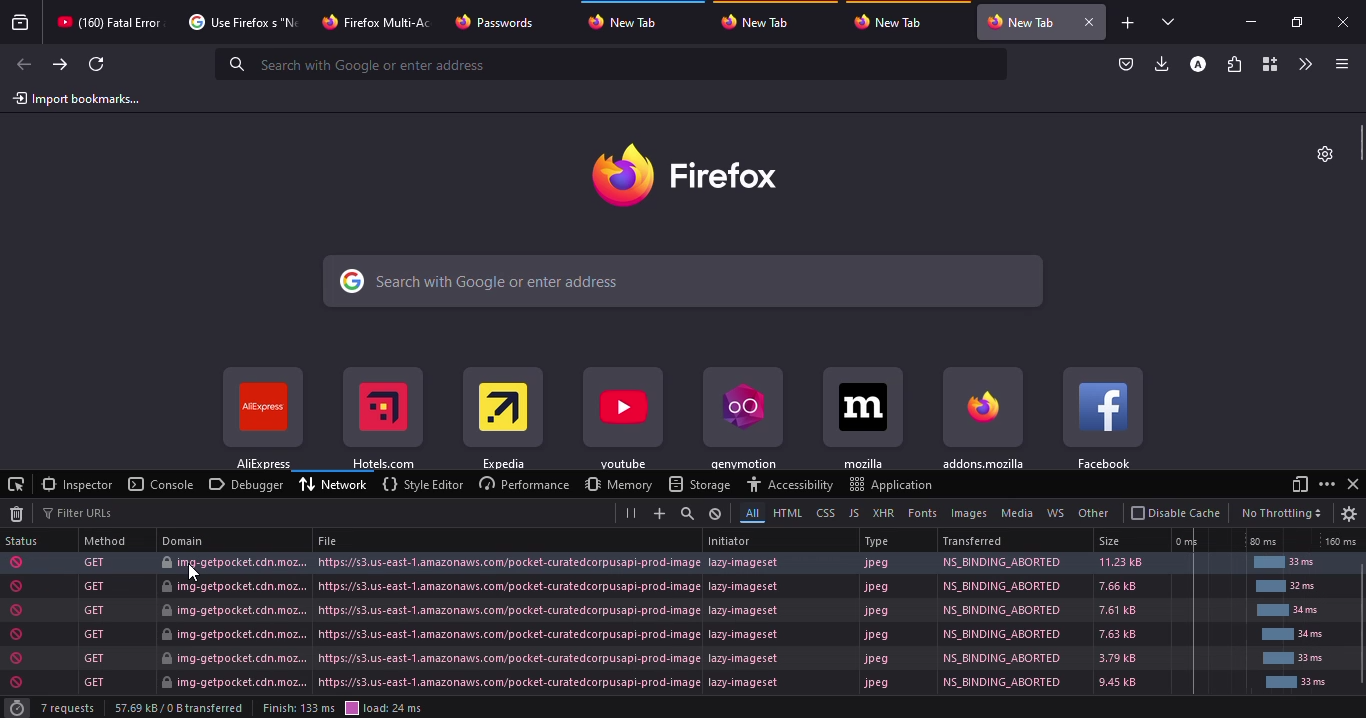 This screenshot has height=718, width=1366. I want to click on block, so click(715, 513).